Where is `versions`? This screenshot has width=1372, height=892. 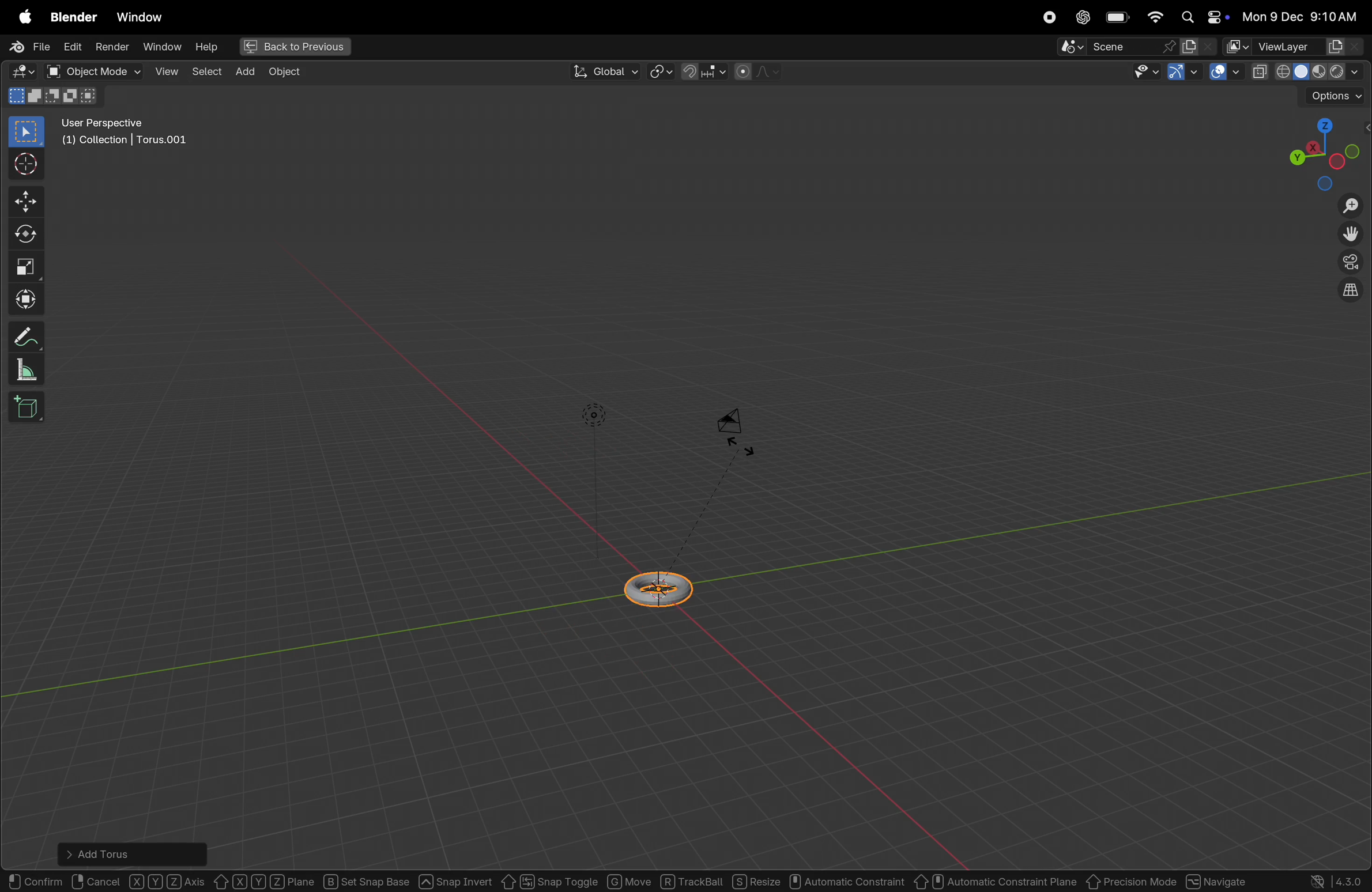
versions is located at coordinates (1337, 880).